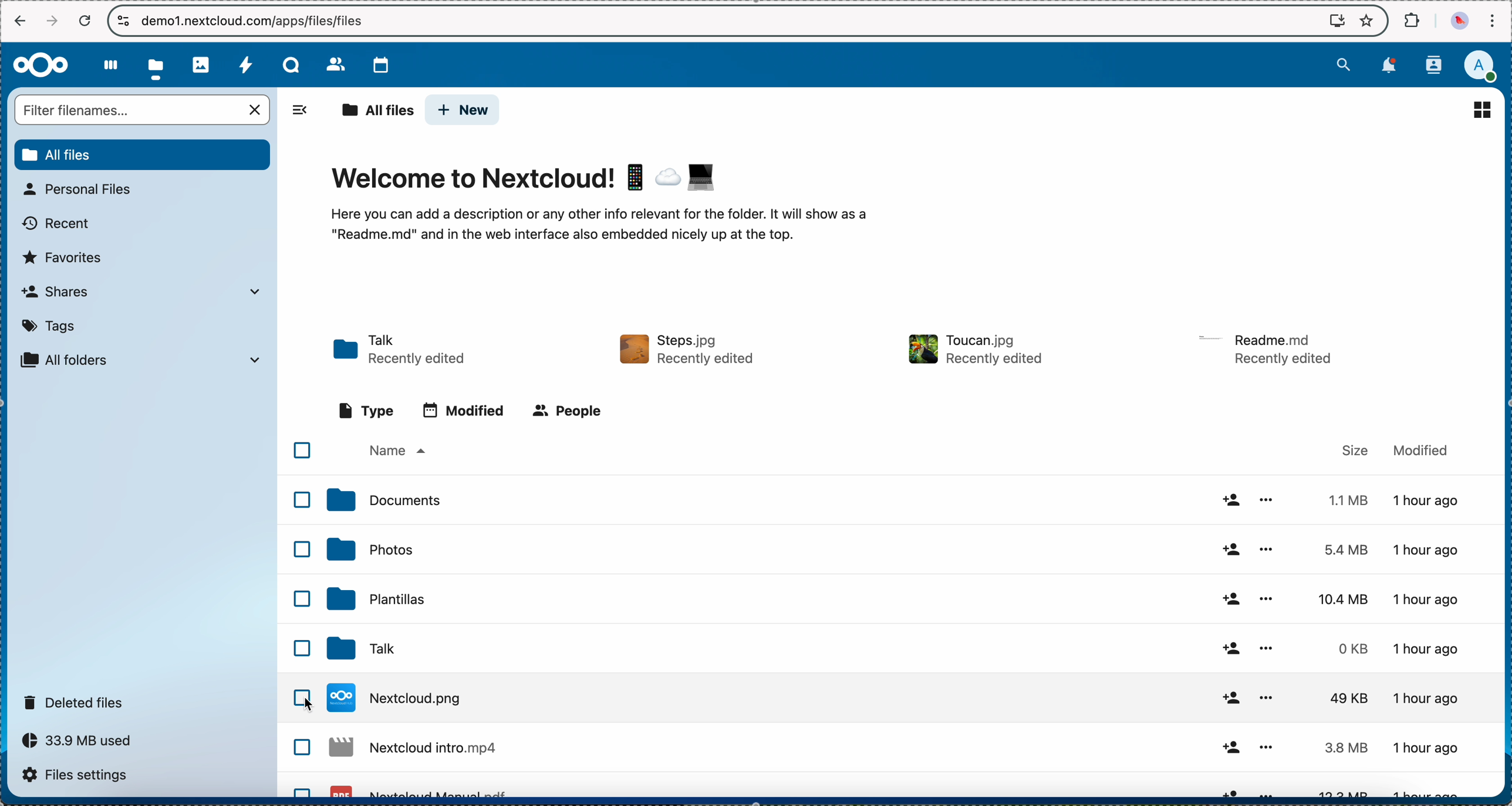  What do you see at coordinates (67, 258) in the screenshot?
I see `favorites` at bounding box center [67, 258].